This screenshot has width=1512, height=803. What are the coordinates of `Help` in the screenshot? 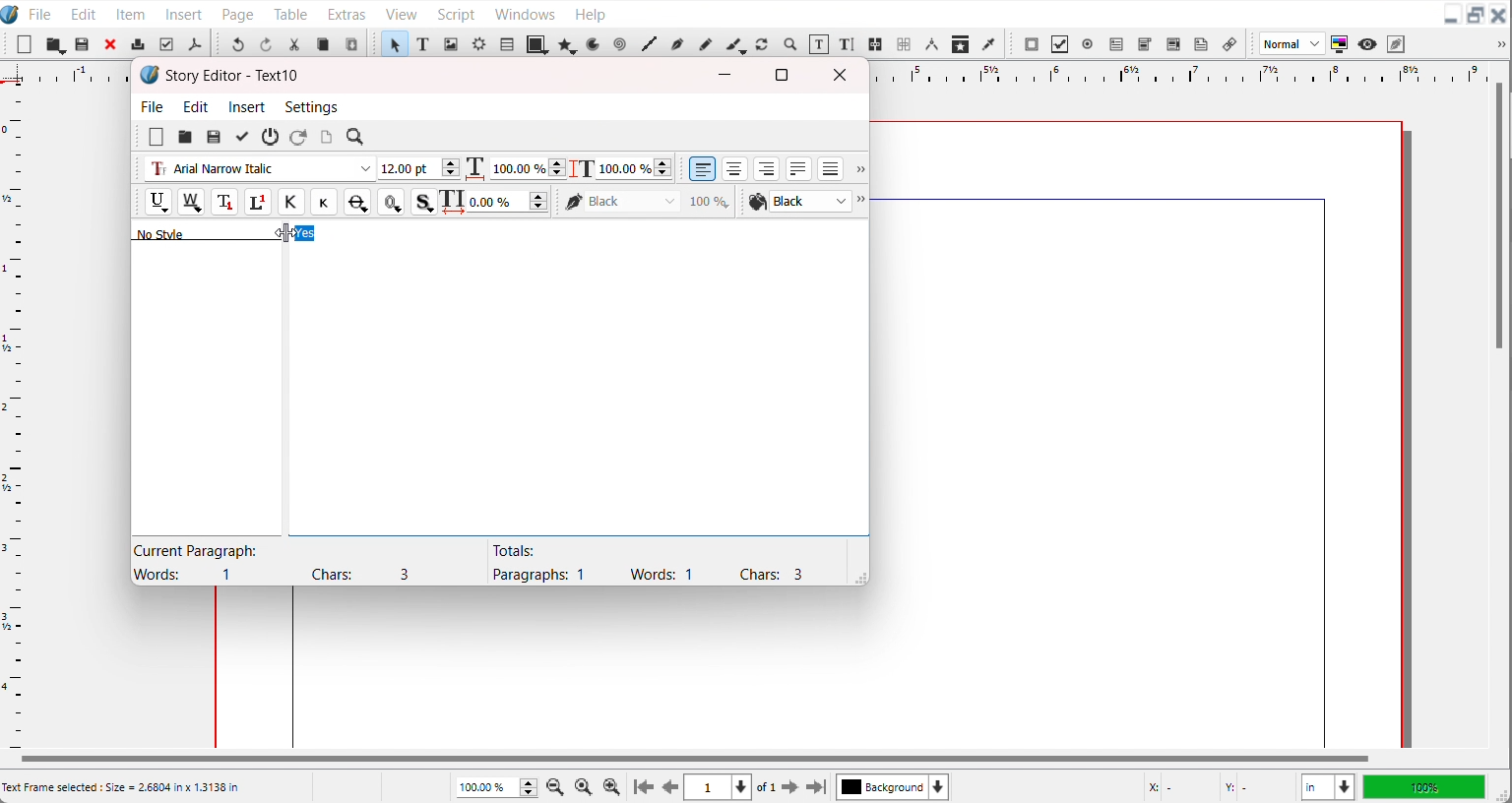 It's located at (590, 13).